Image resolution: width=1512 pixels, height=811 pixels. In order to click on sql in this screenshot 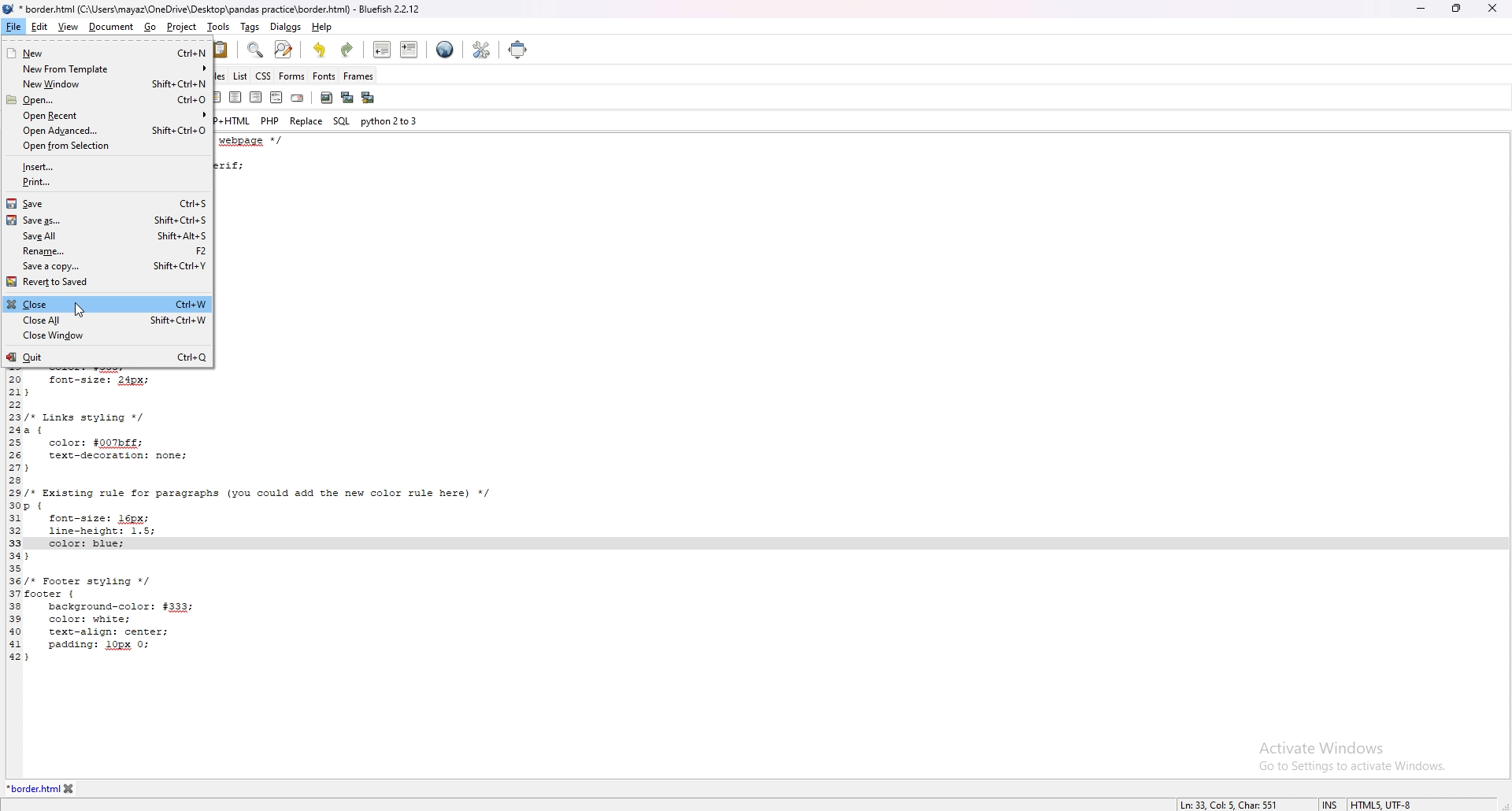, I will do `click(341, 120)`.